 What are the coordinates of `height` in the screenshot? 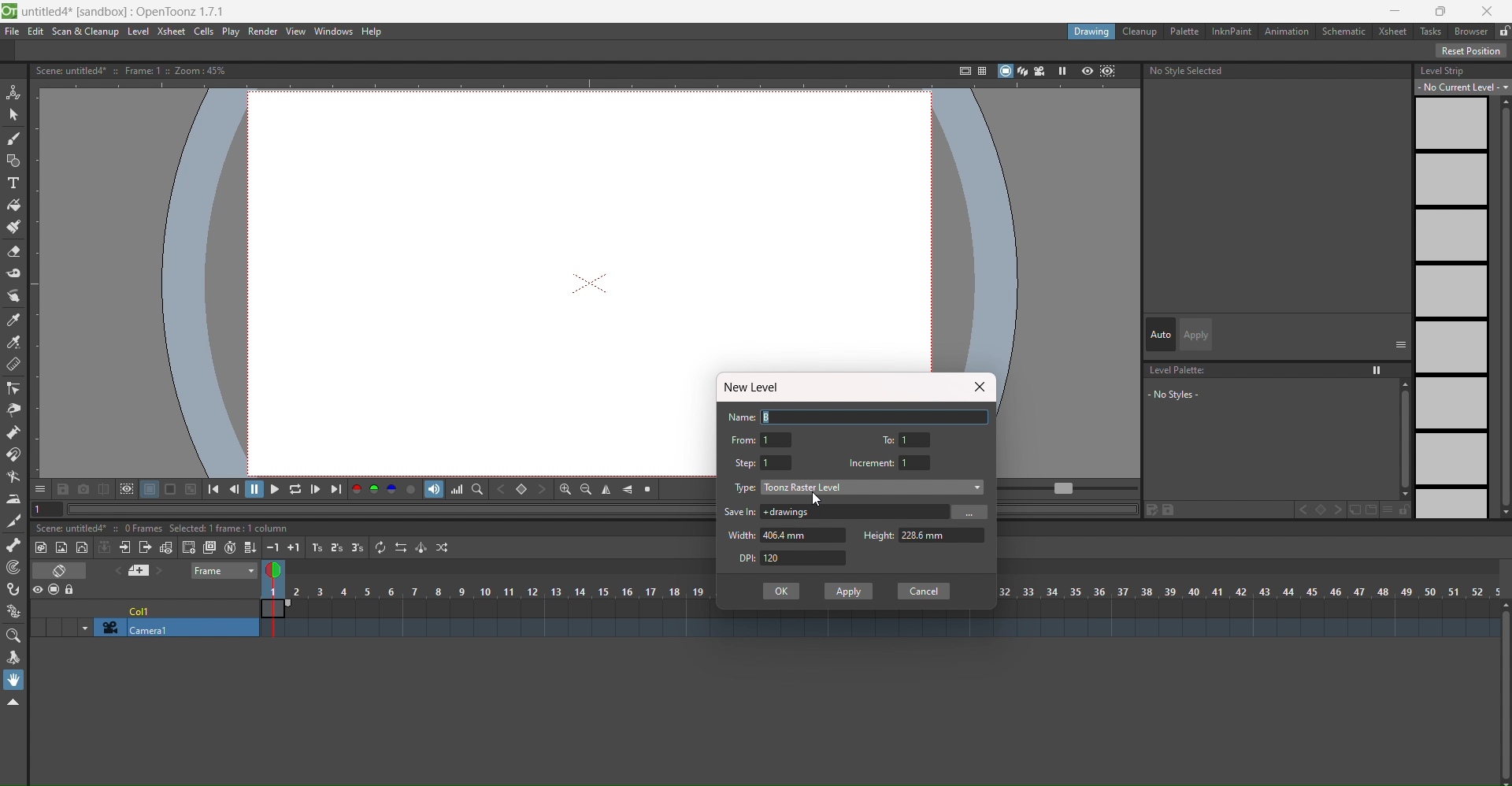 It's located at (877, 533).